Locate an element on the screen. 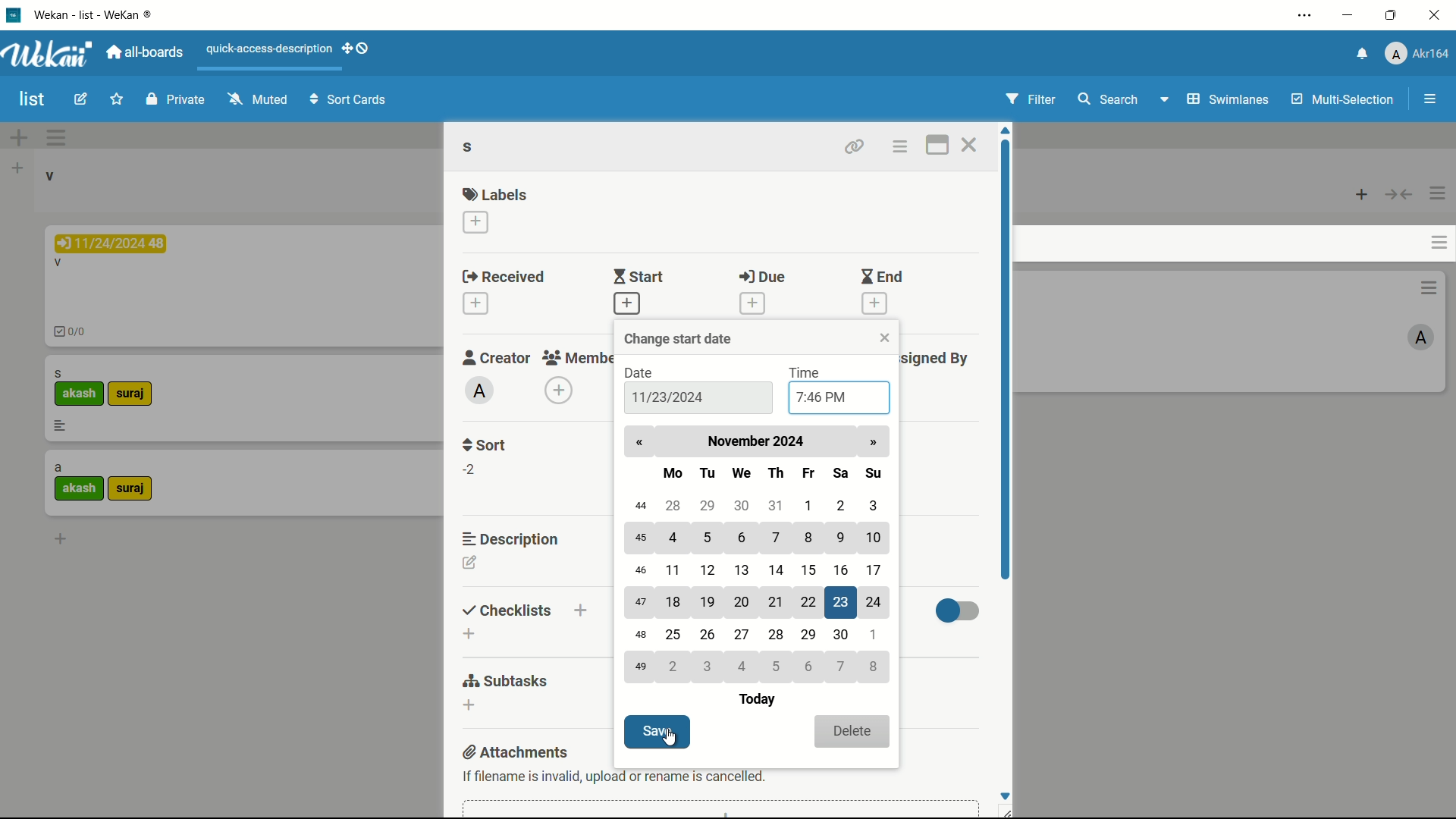 The width and height of the screenshot is (1456, 819). close card is located at coordinates (971, 146).